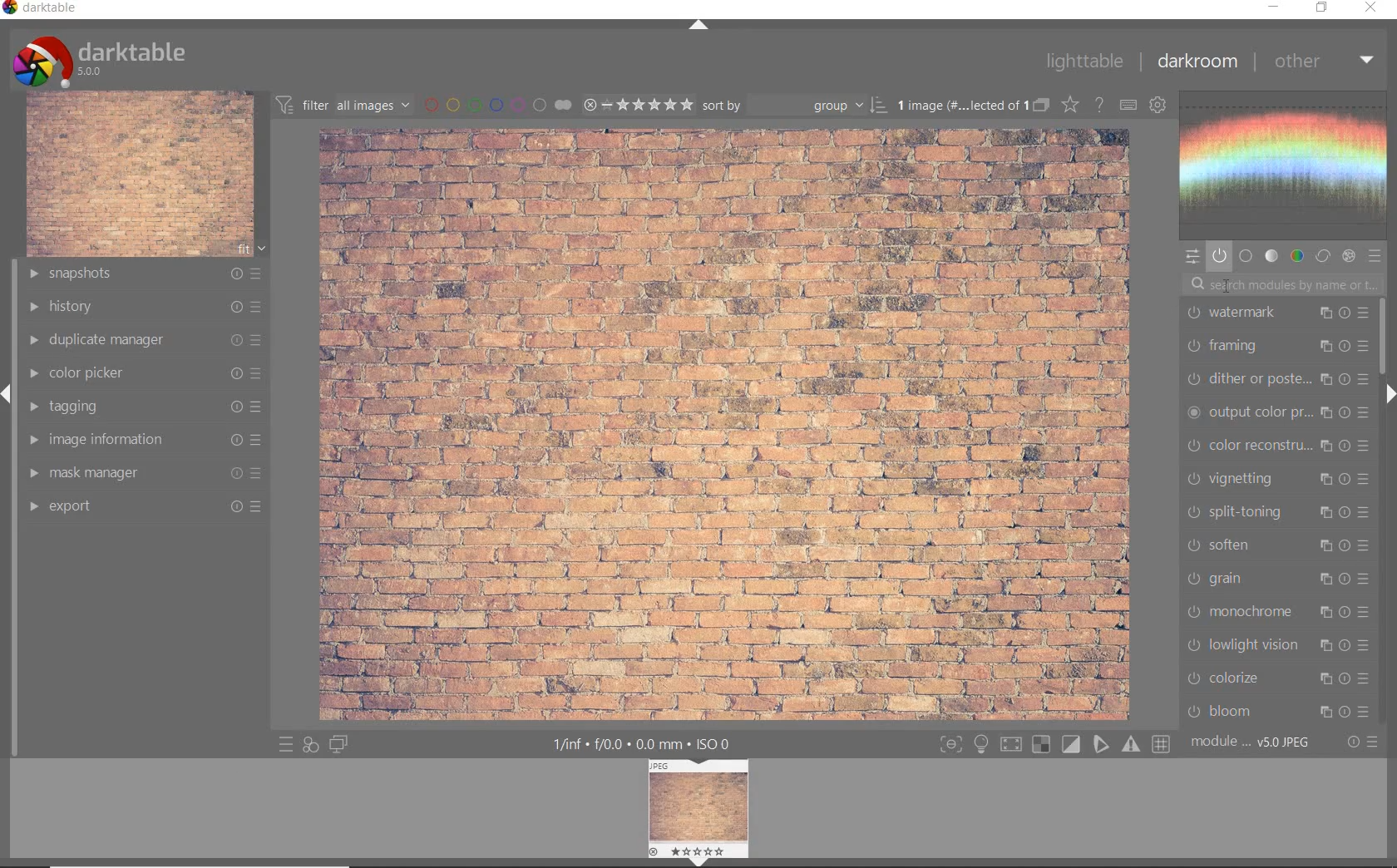 This screenshot has height=868, width=1397. Describe the element at coordinates (102, 60) in the screenshot. I see `darktable 5.0.0` at that location.